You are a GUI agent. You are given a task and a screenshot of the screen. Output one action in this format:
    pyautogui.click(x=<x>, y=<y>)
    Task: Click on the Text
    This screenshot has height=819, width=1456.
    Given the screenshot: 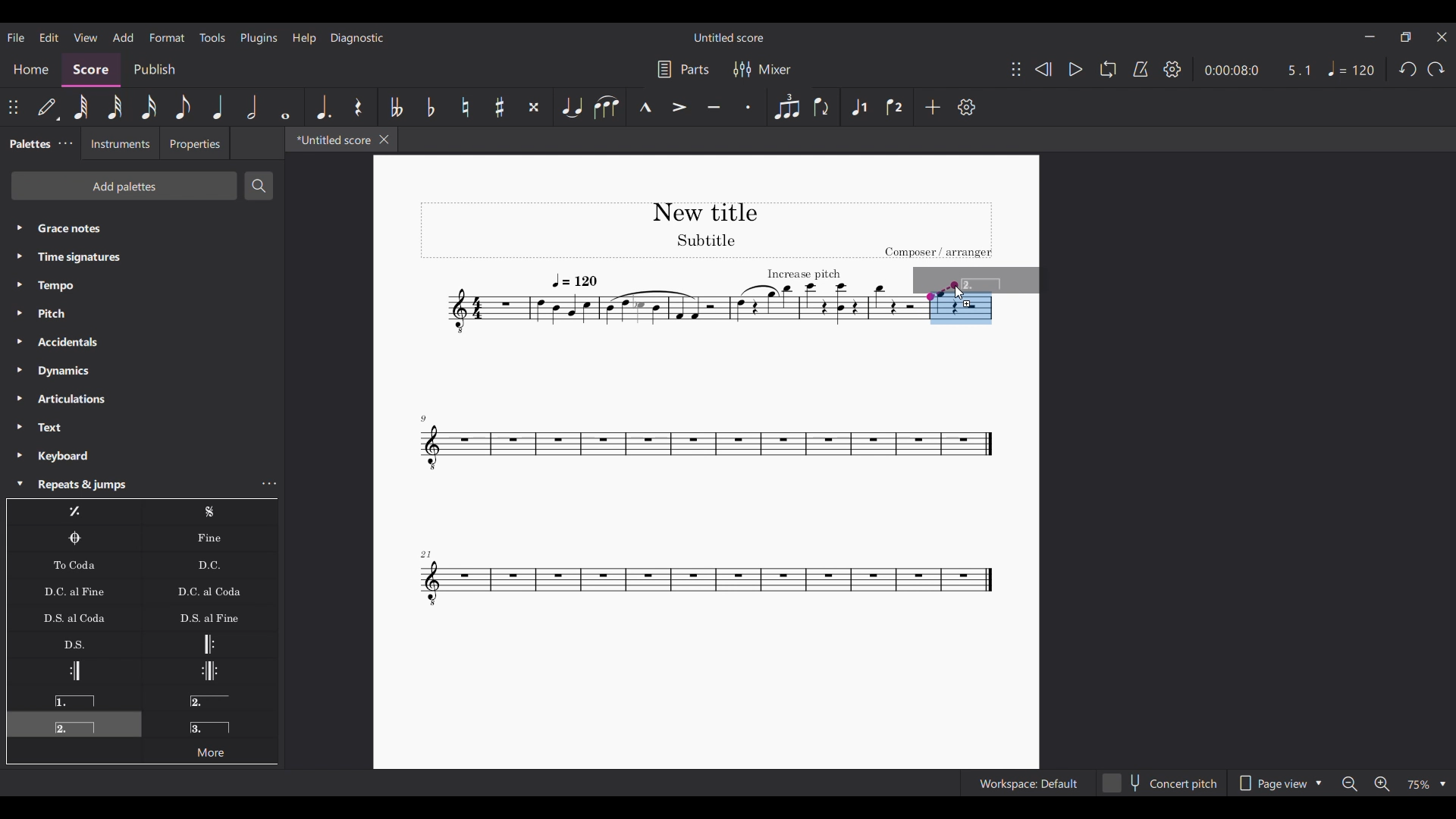 What is the action you would take?
    pyautogui.click(x=143, y=428)
    